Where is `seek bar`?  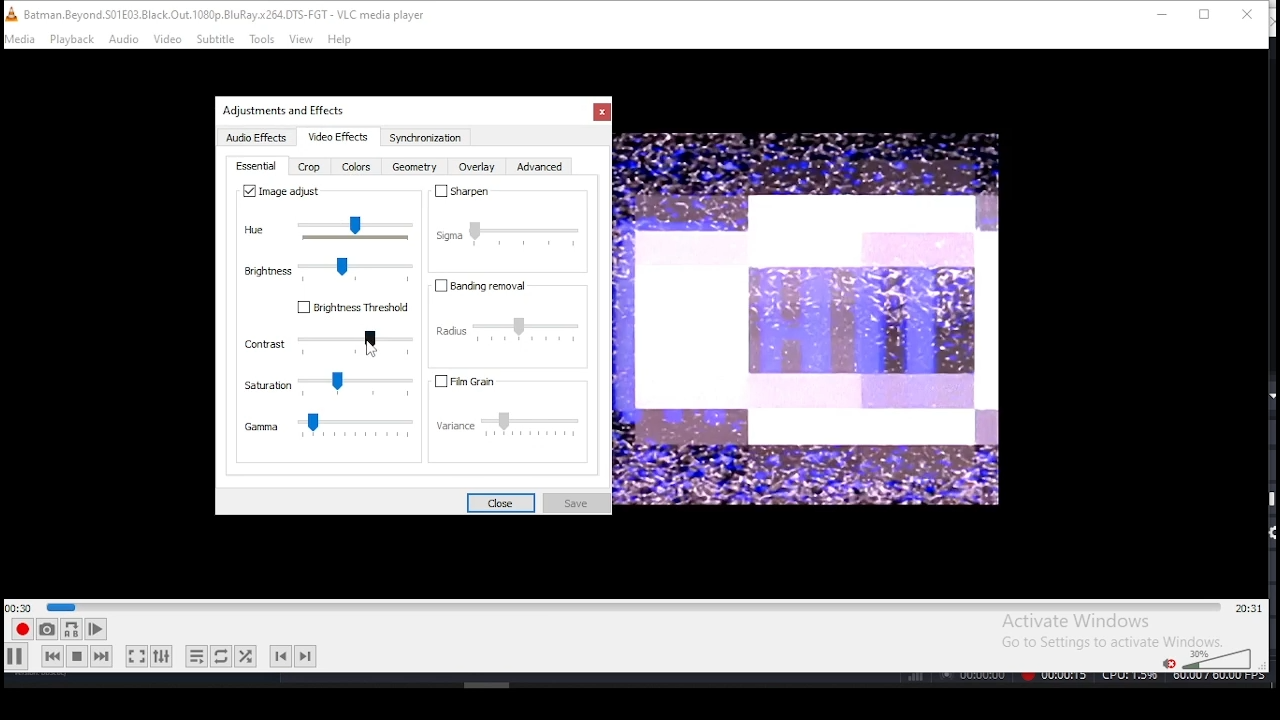 seek bar is located at coordinates (633, 605).